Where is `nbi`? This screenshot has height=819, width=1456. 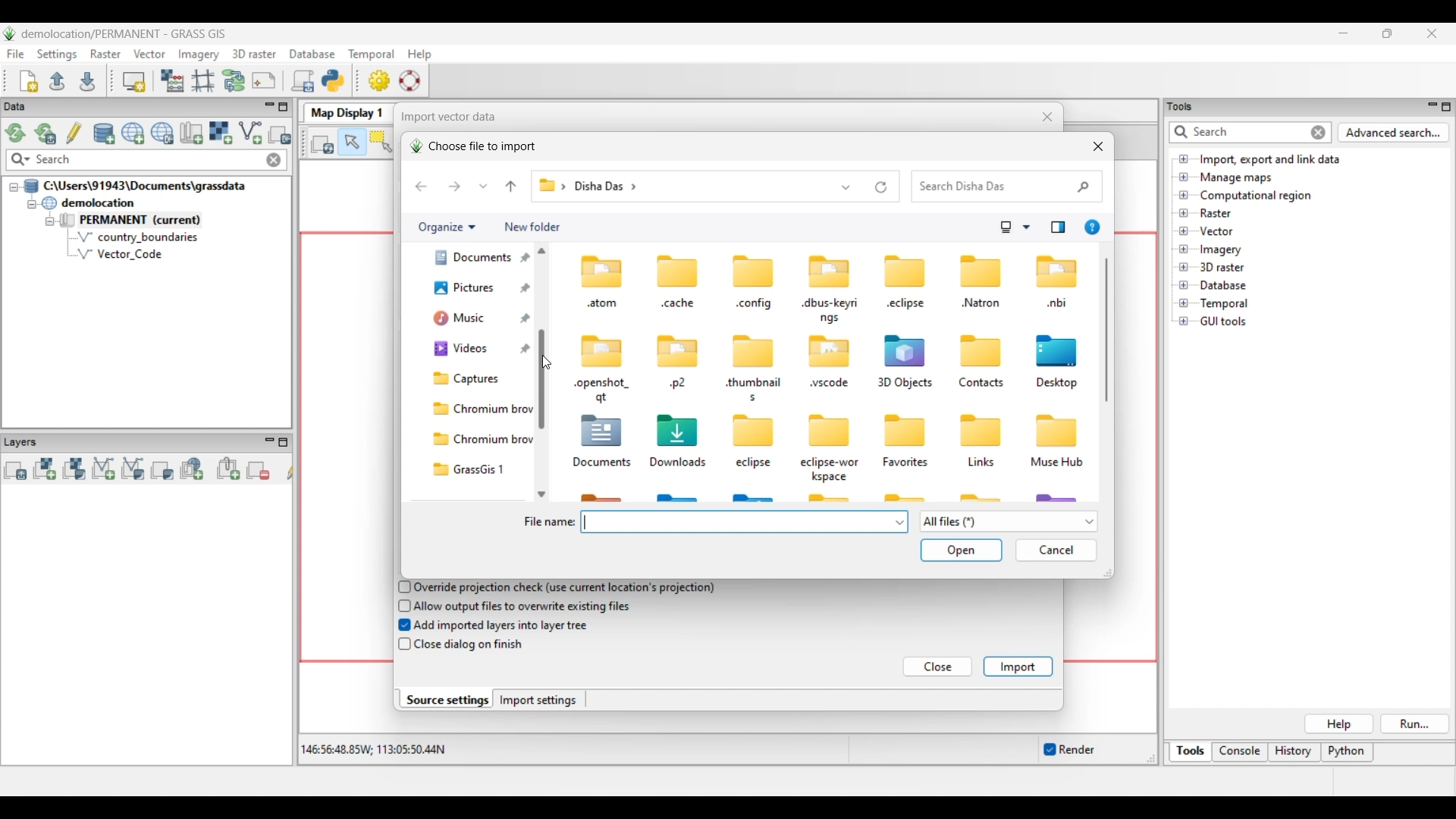 nbi is located at coordinates (1058, 304).